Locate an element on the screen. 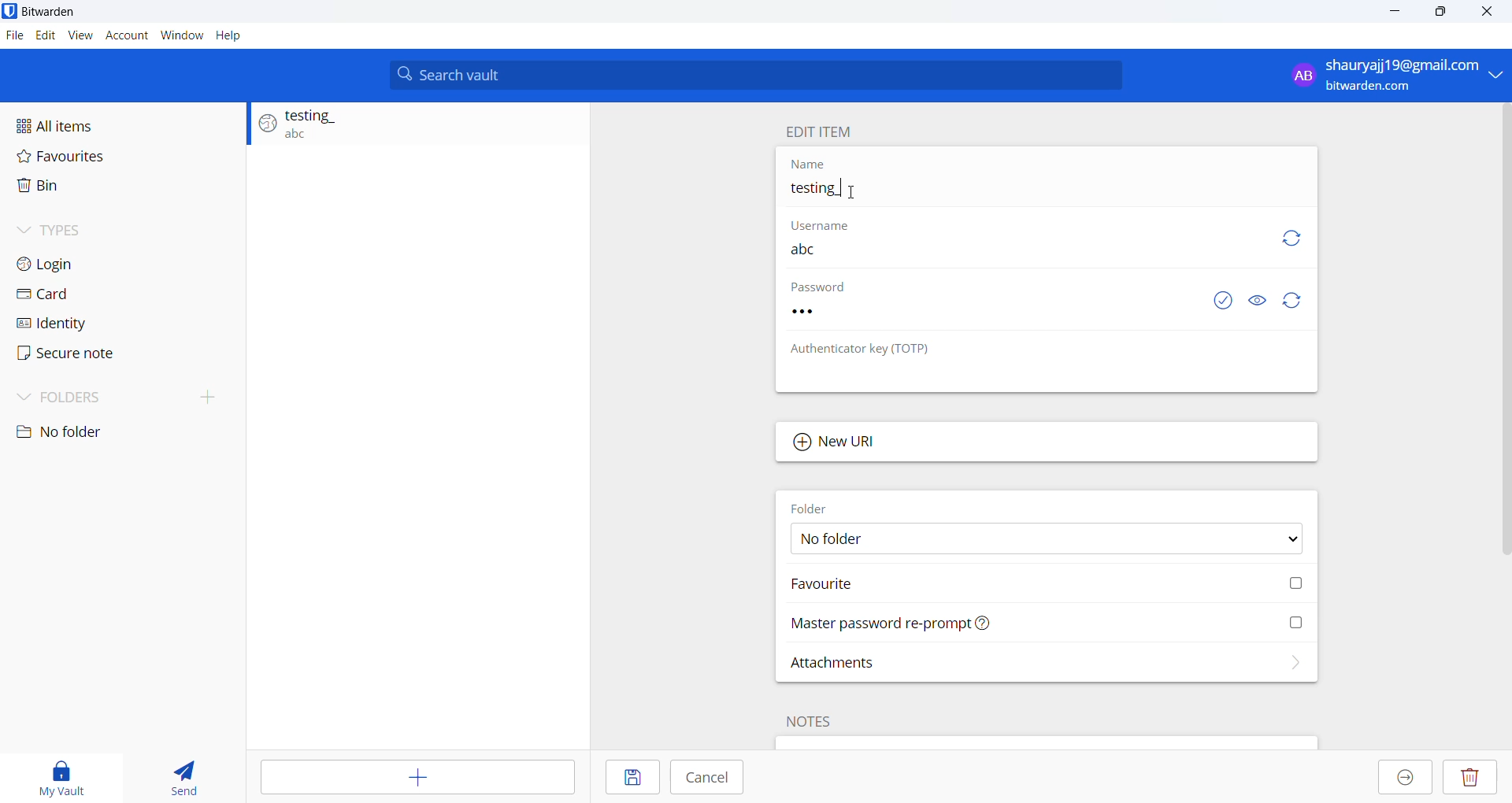 This screenshot has width=1512, height=803. Window is located at coordinates (182, 33).